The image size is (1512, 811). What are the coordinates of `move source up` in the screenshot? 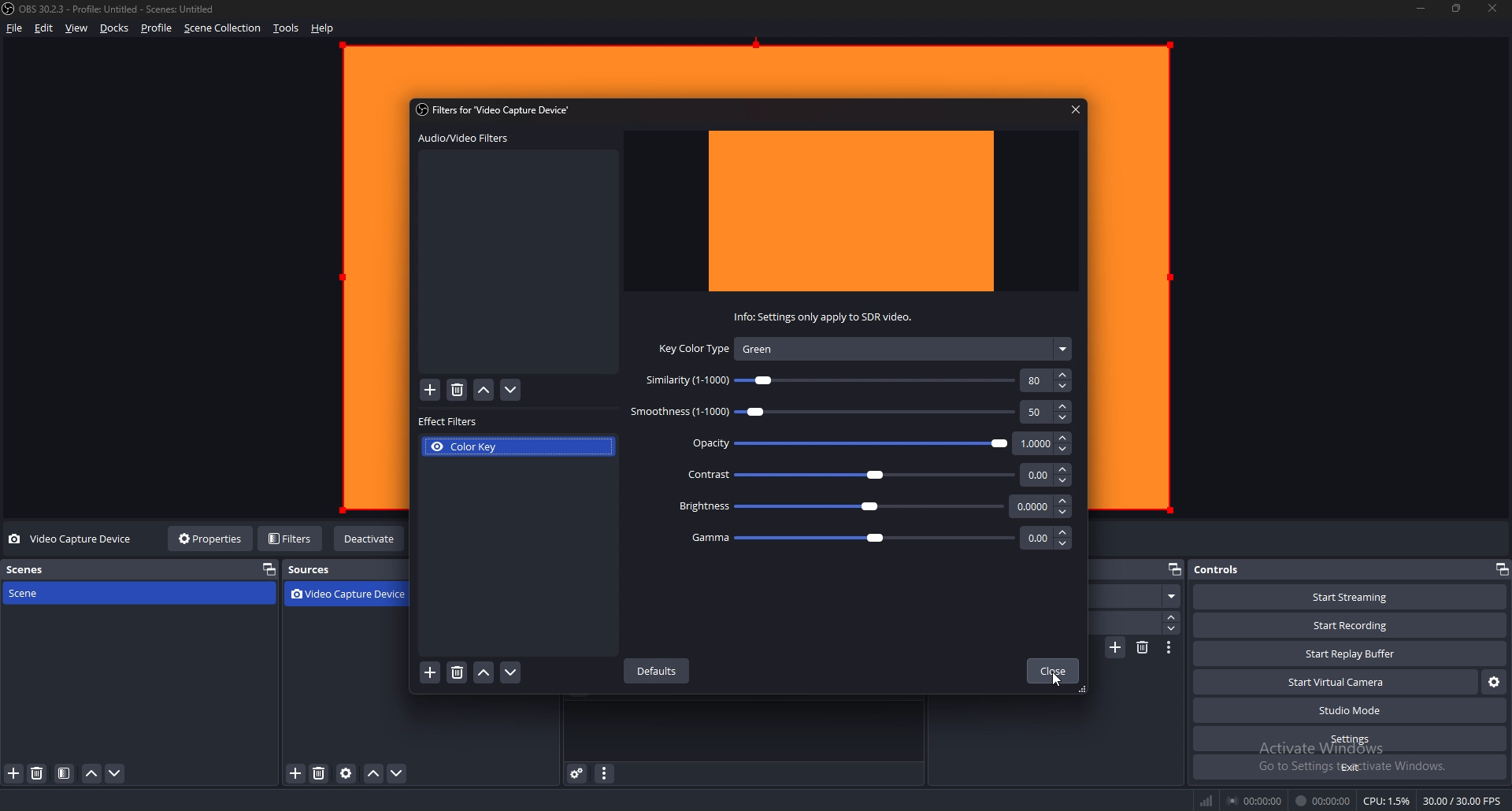 It's located at (373, 775).